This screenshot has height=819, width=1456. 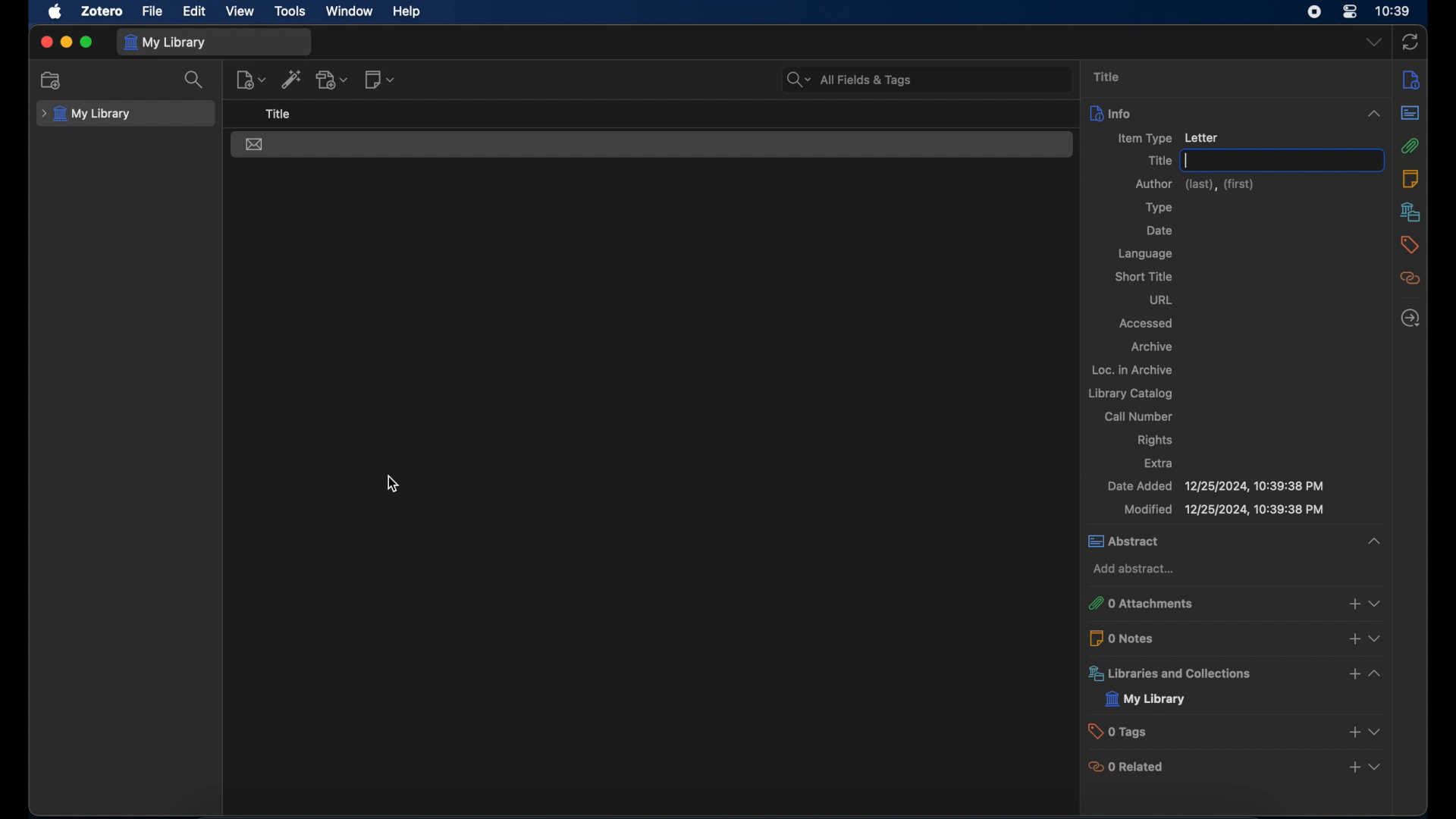 I want to click on file, so click(x=153, y=11).